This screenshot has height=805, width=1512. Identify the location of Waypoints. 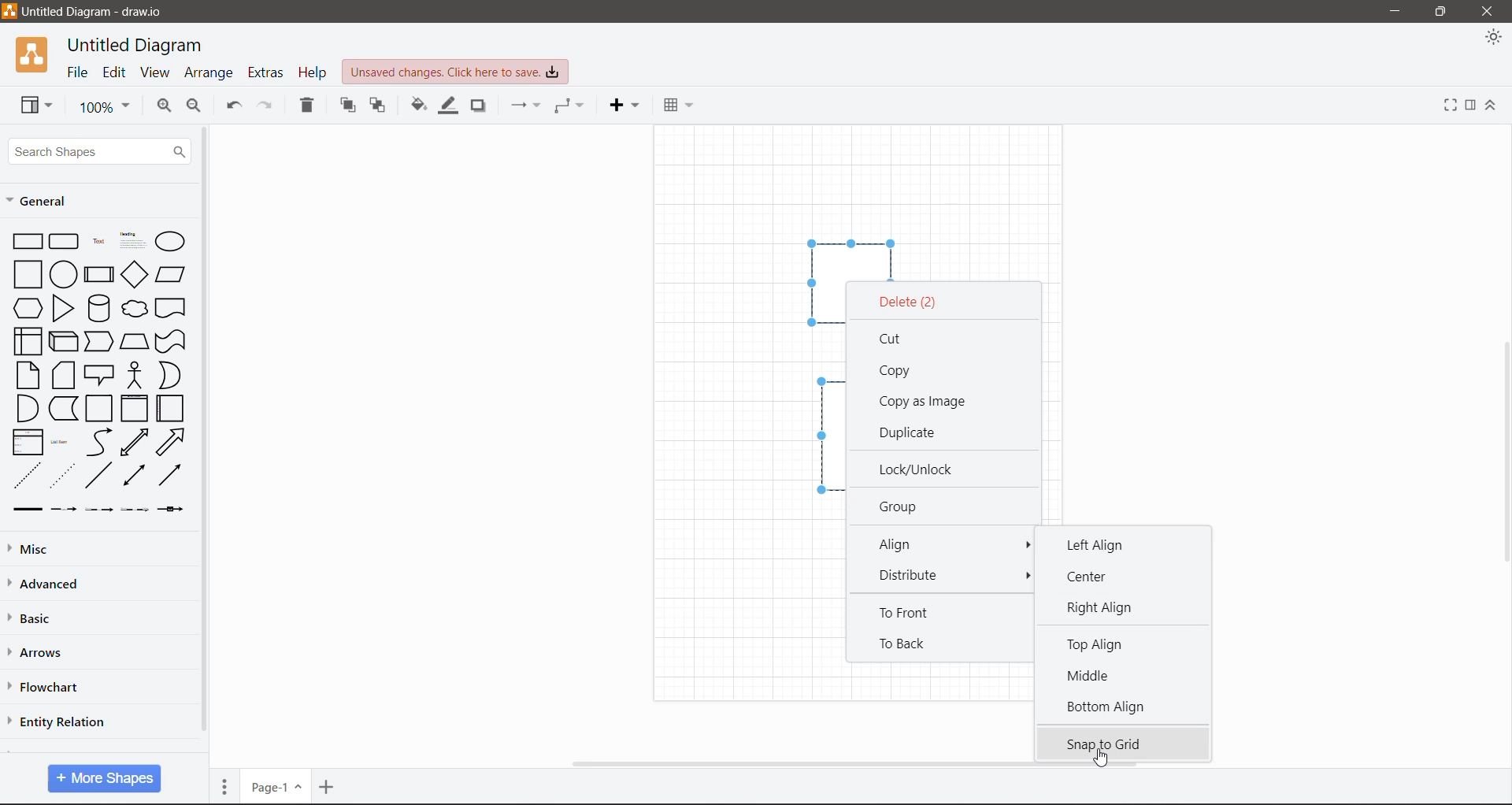
(569, 107).